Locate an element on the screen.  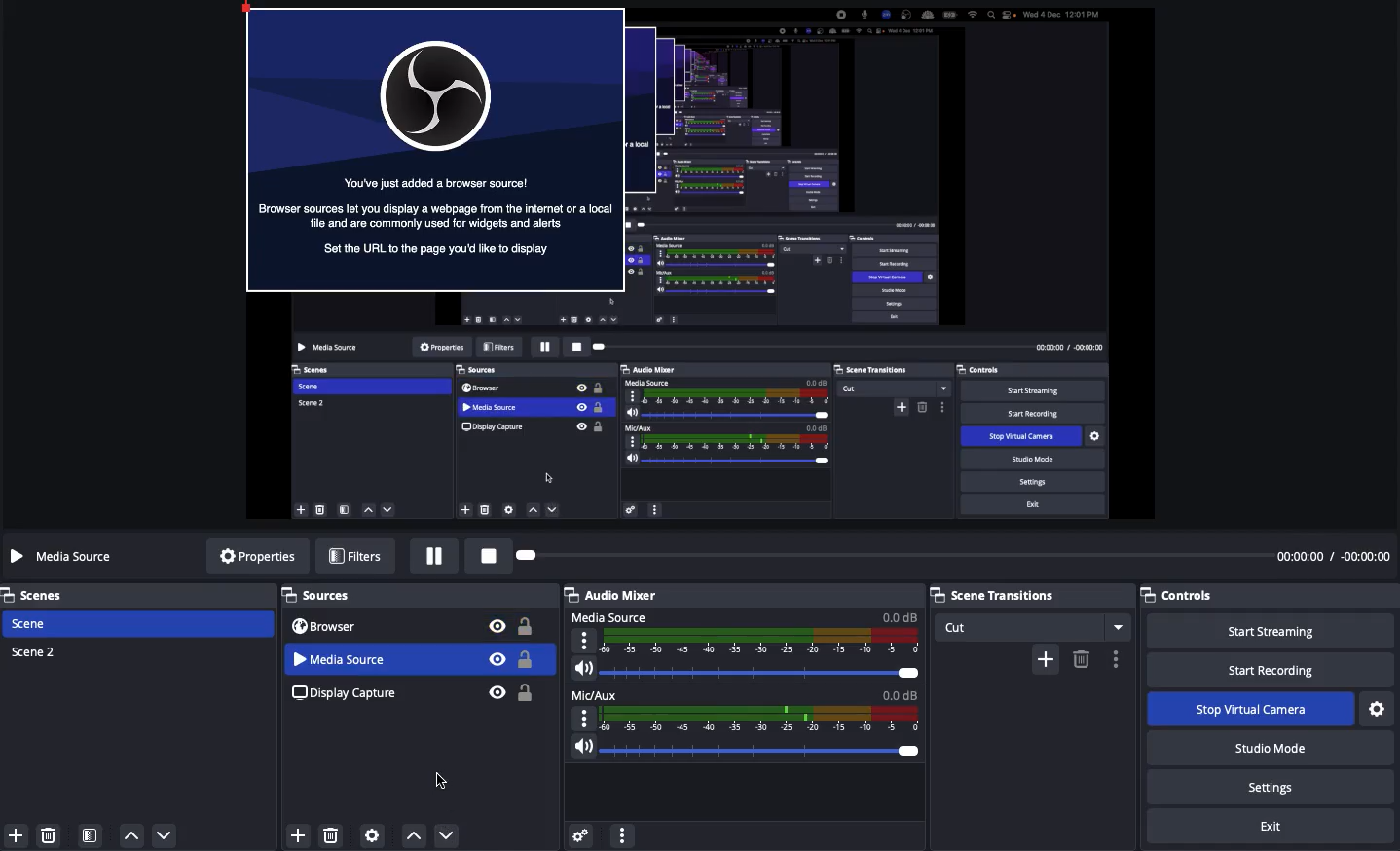
Scene transition is located at coordinates (1030, 593).